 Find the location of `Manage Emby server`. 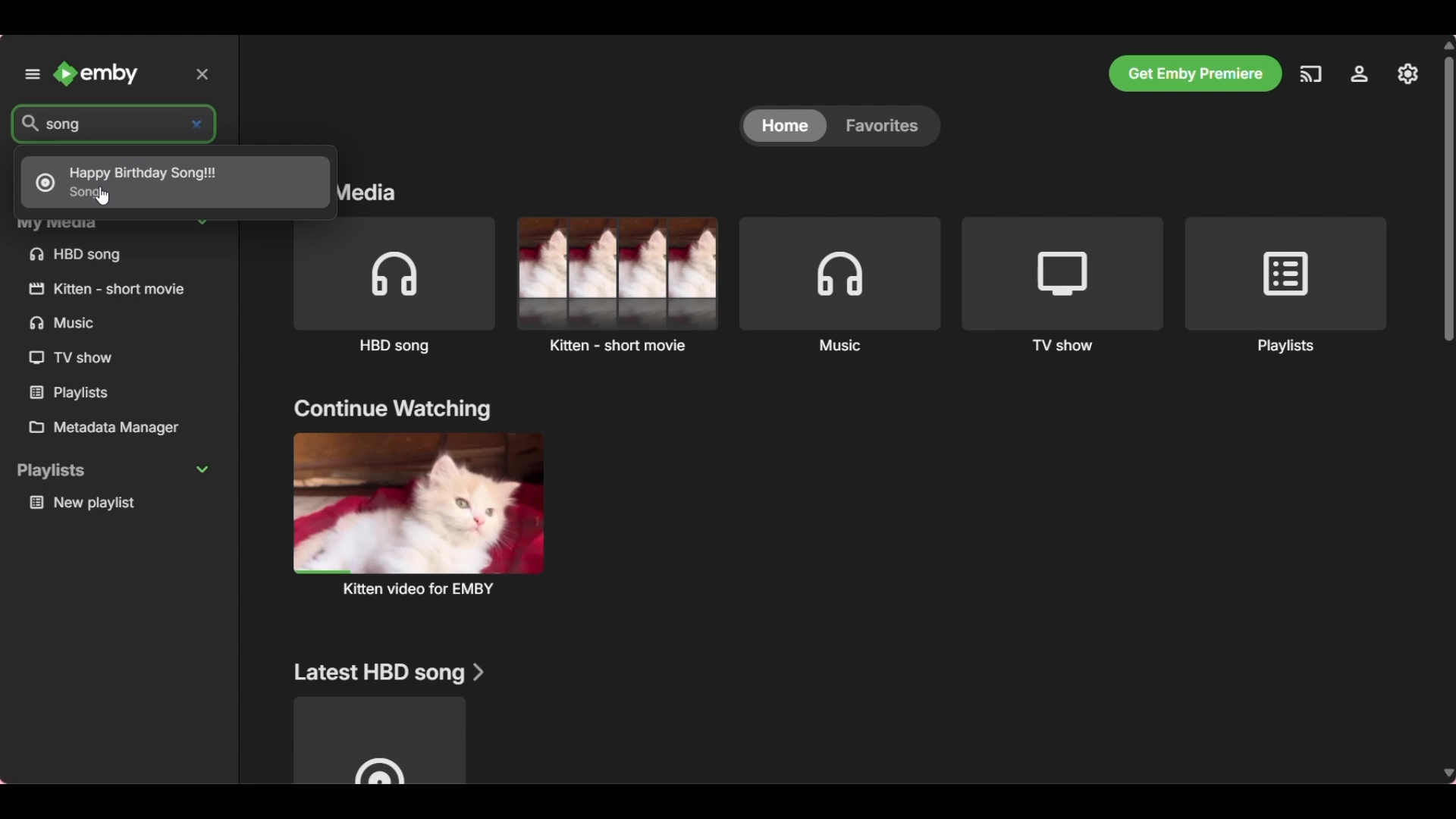

Manage Emby server is located at coordinates (1360, 78).